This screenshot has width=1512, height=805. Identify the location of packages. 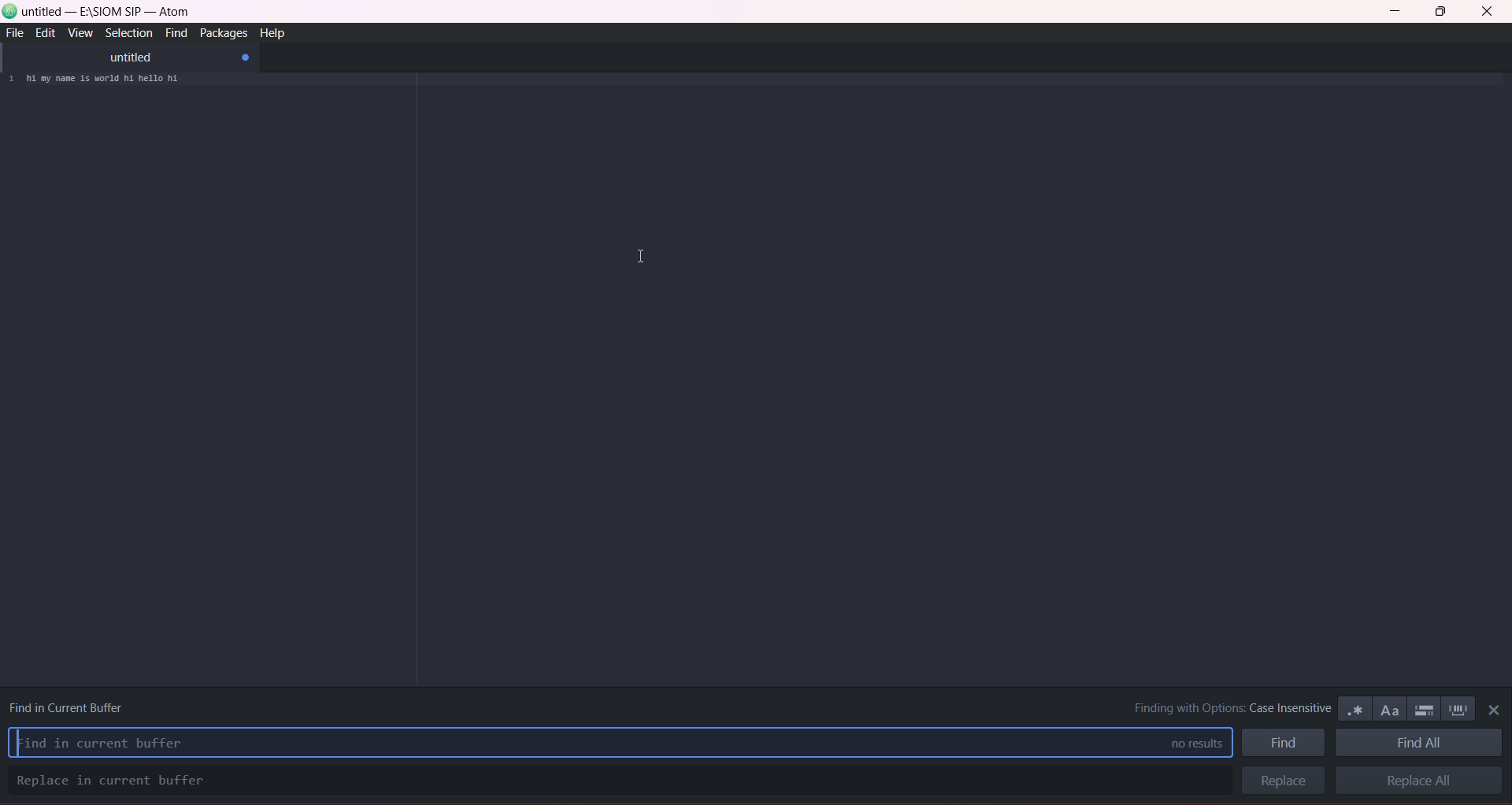
(220, 34).